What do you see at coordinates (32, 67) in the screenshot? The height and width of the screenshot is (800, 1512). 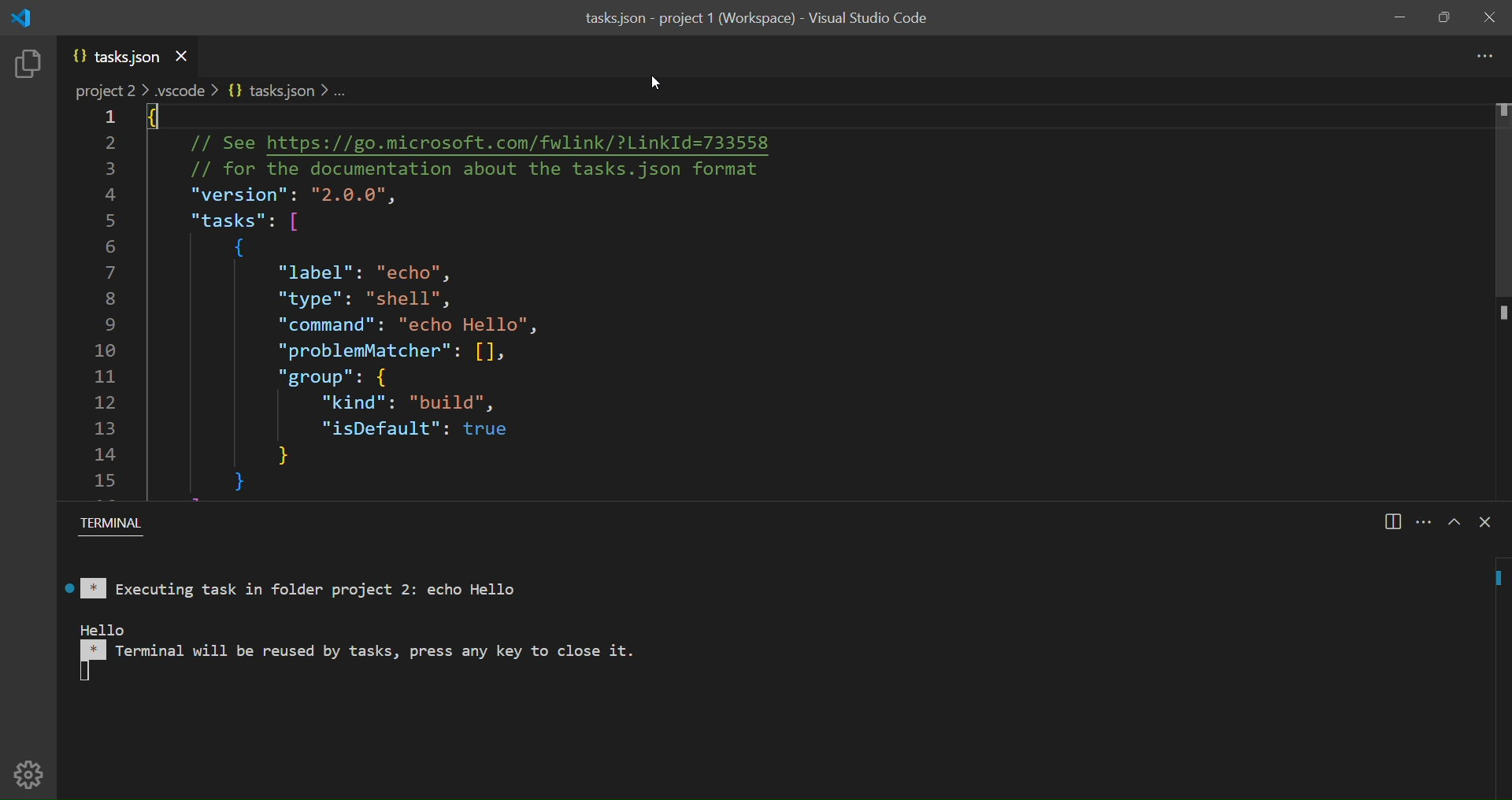 I see `explorer` at bounding box center [32, 67].